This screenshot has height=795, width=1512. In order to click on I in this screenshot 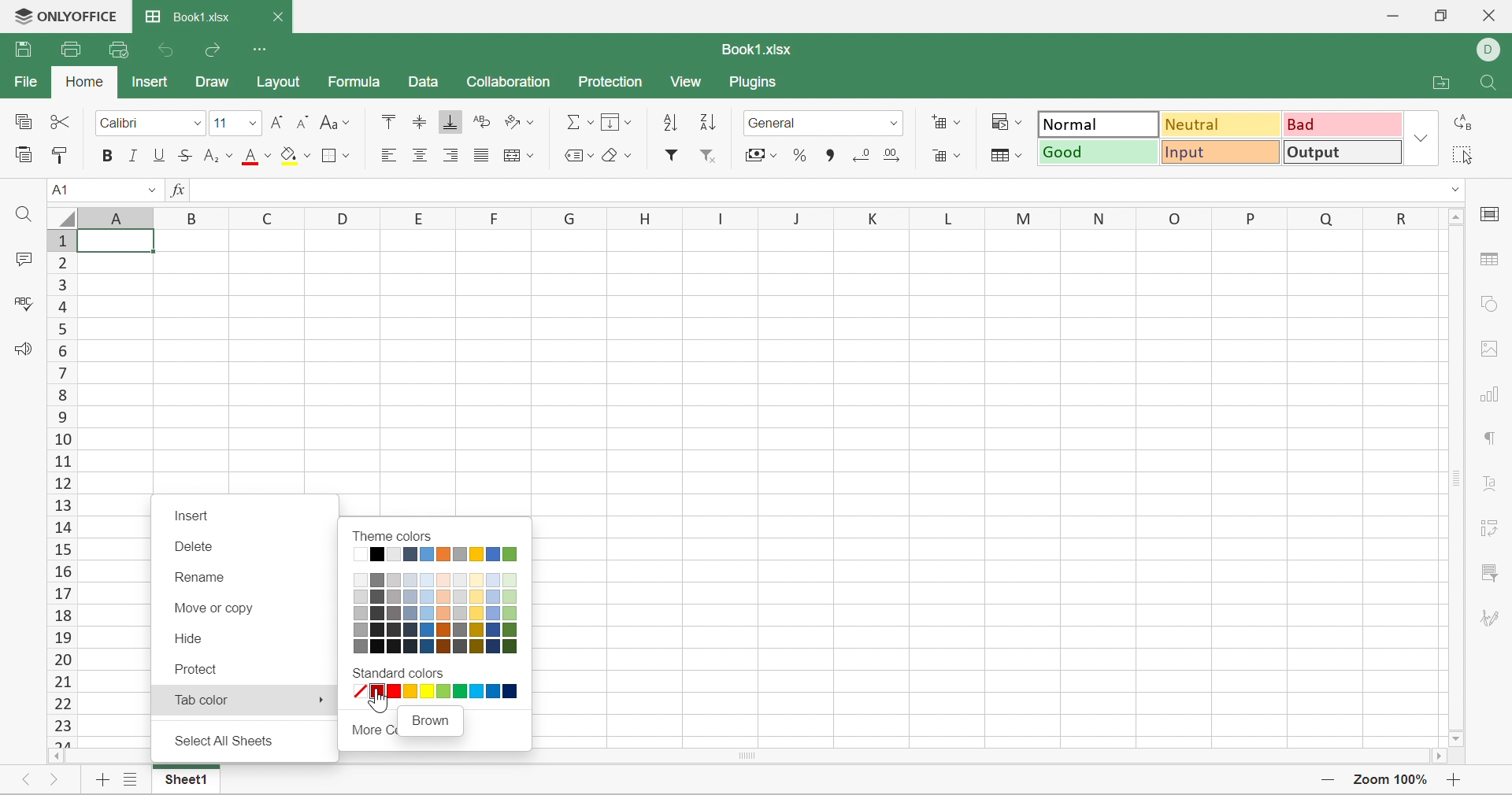, I will do `click(721, 216)`.